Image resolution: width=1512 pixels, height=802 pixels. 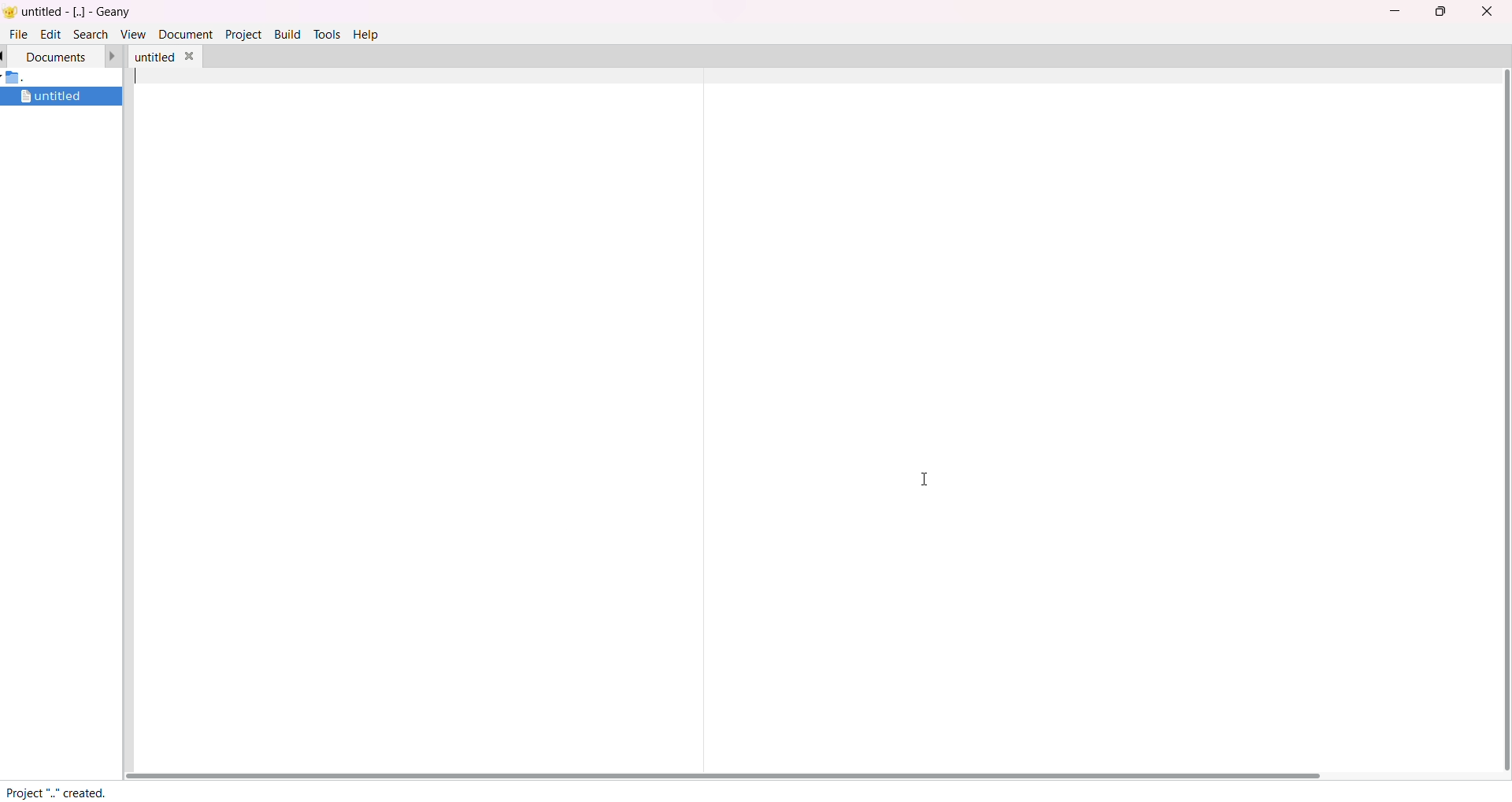 What do you see at coordinates (287, 32) in the screenshot?
I see `build` at bounding box center [287, 32].